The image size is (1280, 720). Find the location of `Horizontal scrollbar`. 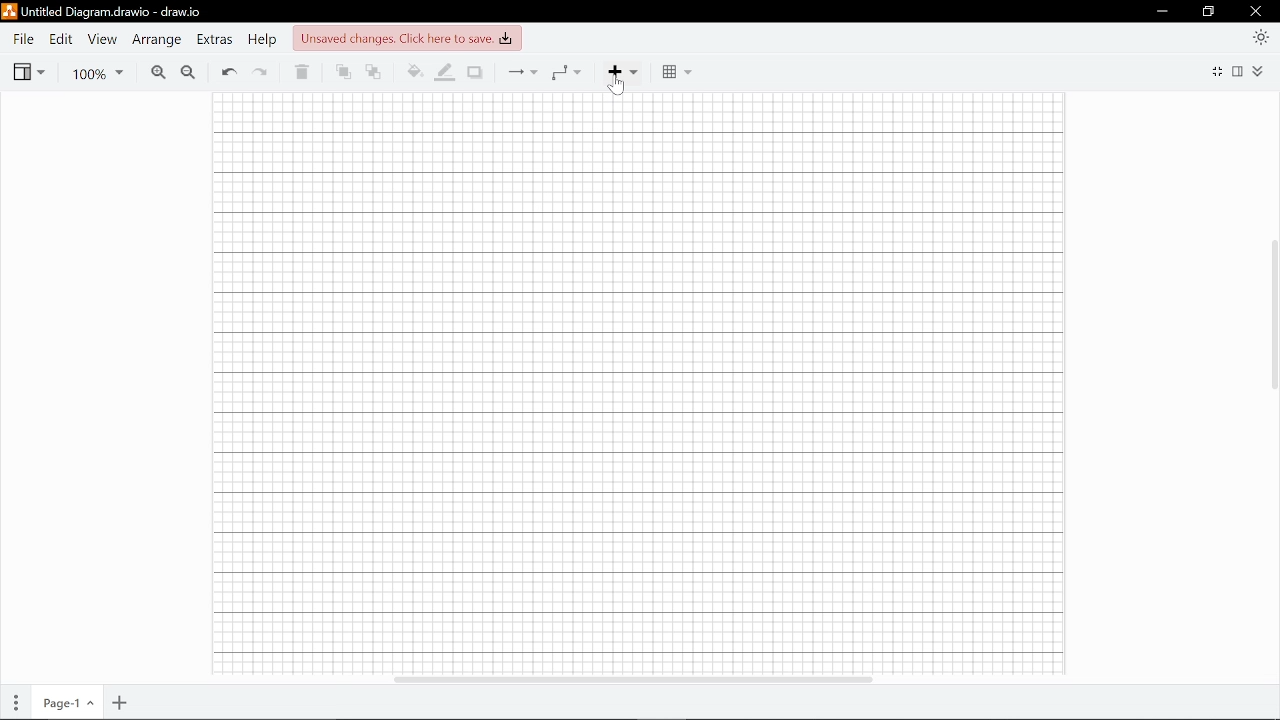

Horizontal scrollbar is located at coordinates (634, 679).